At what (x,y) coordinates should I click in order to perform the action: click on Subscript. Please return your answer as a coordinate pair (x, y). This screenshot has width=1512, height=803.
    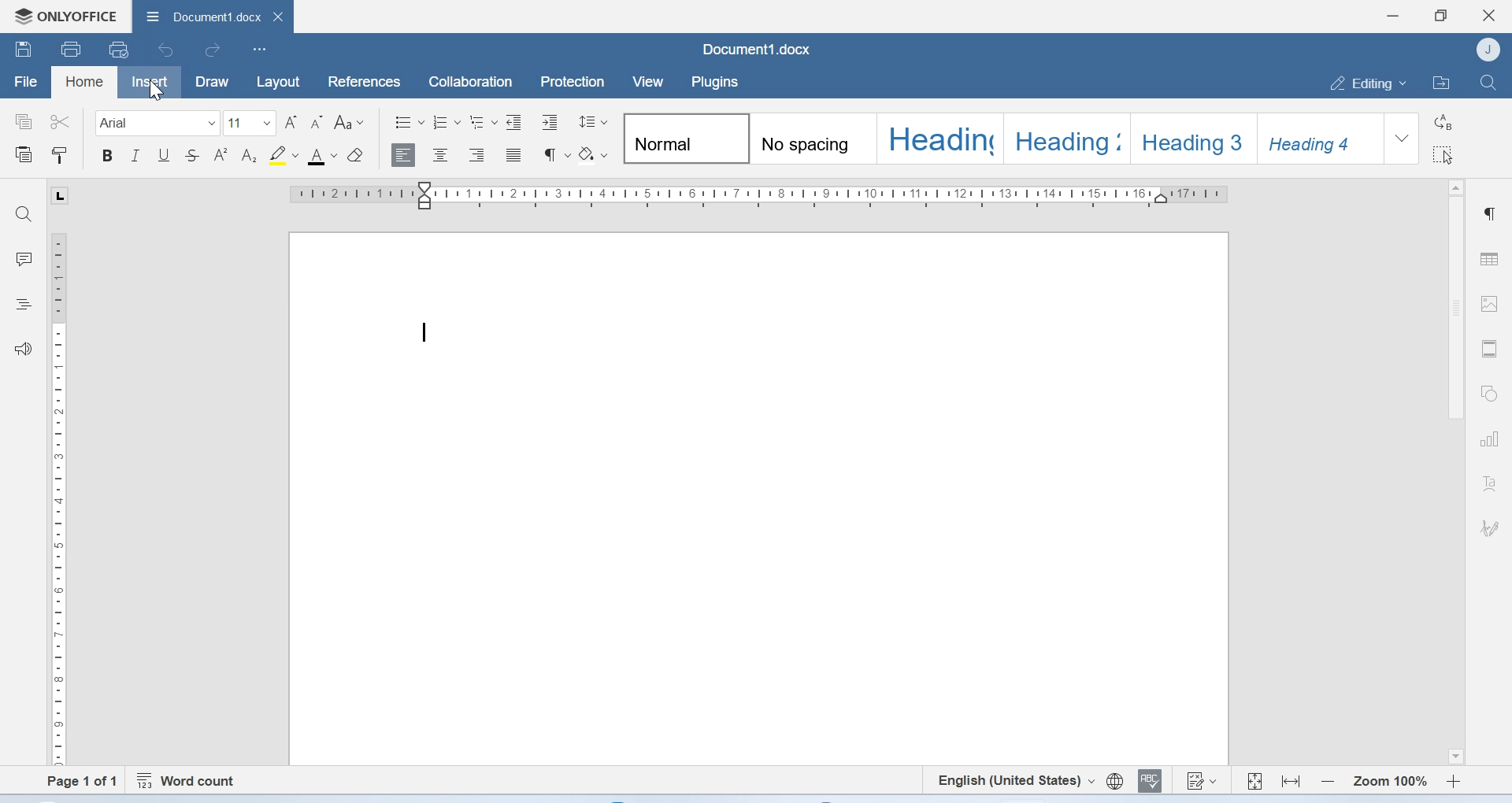
    Looking at the image, I should click on (248, 157).